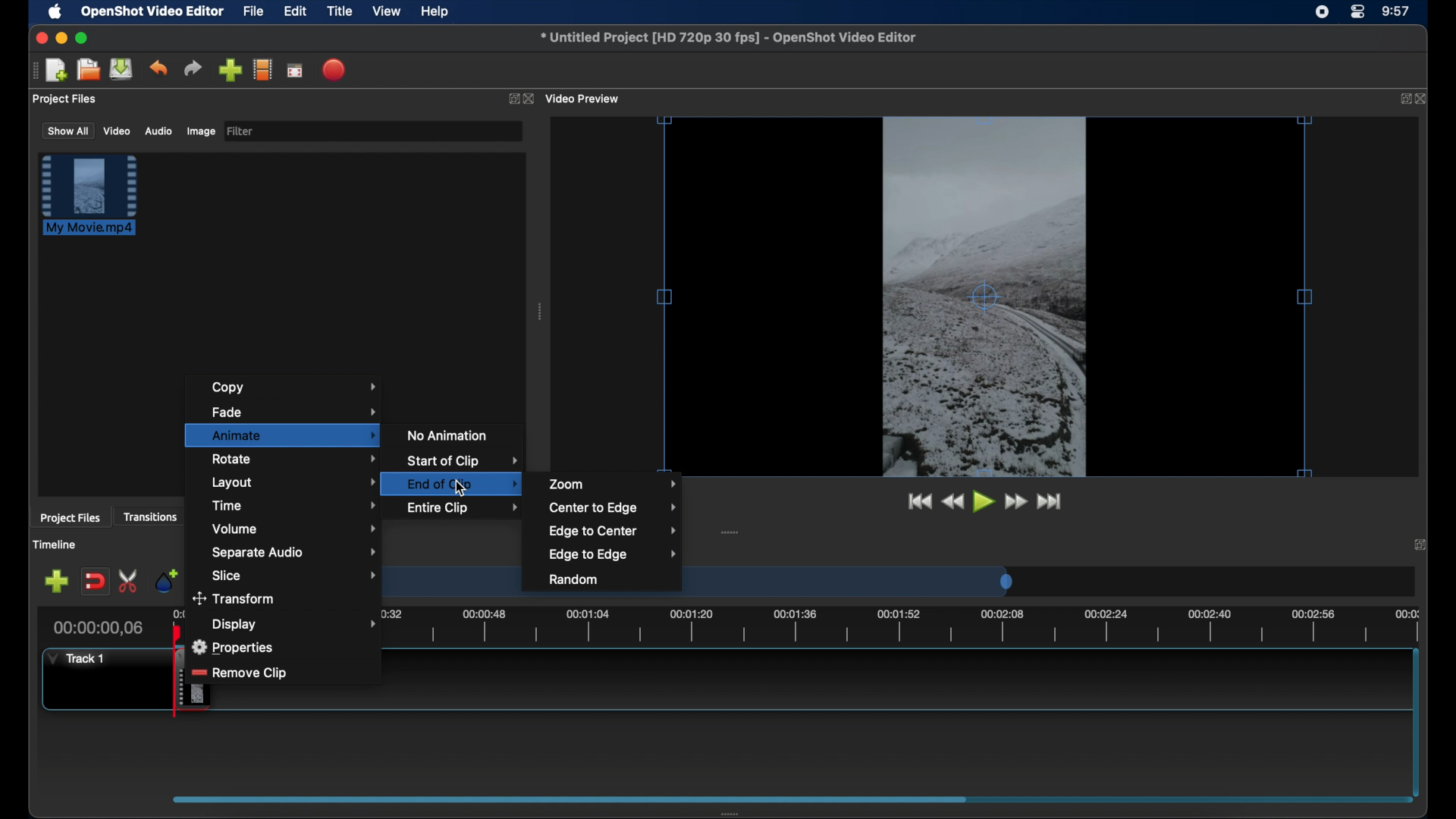 The image size is (1456, 819). Describe the element at coordinates (95, 582) in the screenshot. I see `disable snapping` at that location.